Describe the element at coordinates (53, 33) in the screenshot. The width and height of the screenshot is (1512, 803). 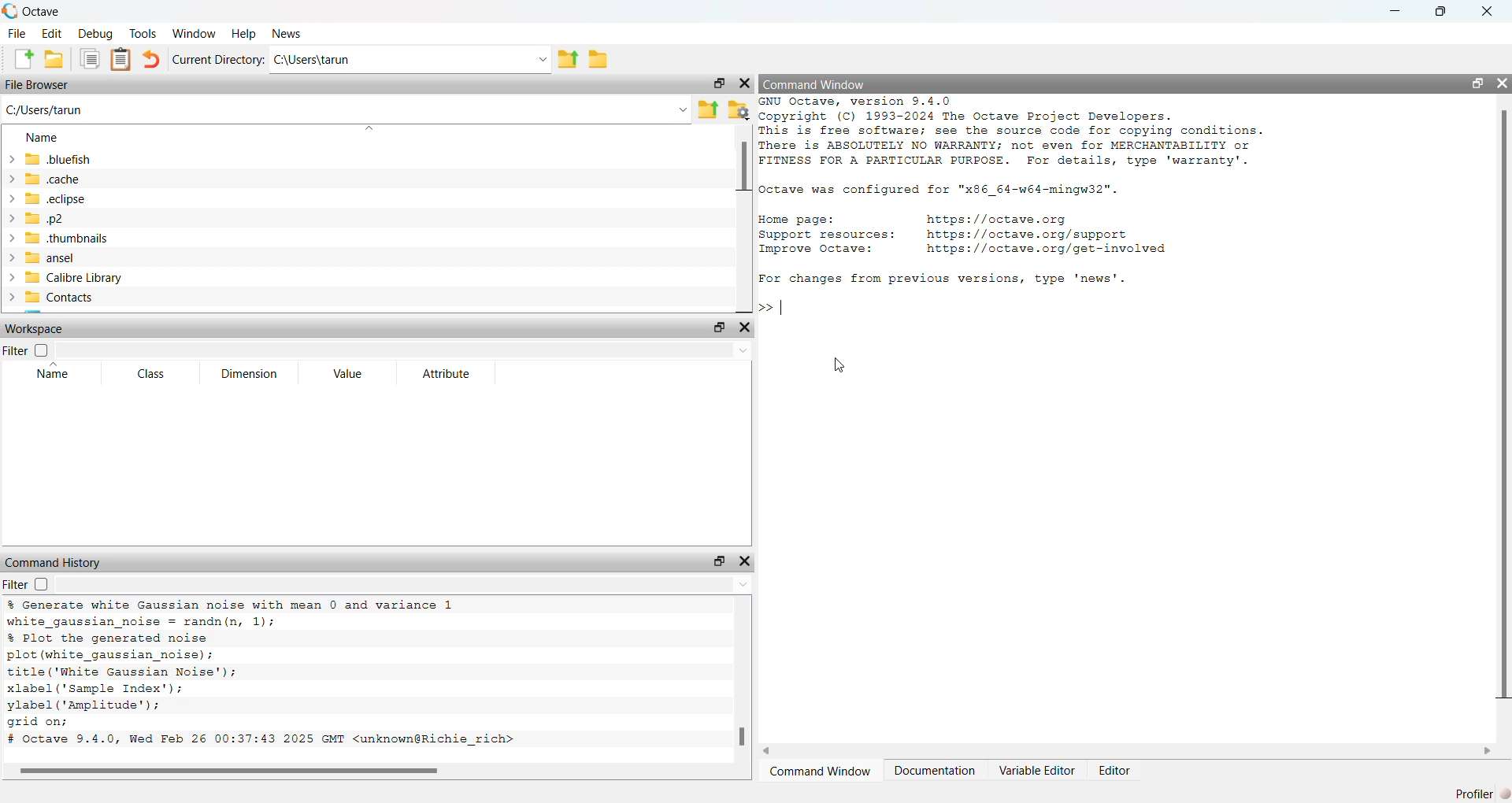
I see `edit` at that location.